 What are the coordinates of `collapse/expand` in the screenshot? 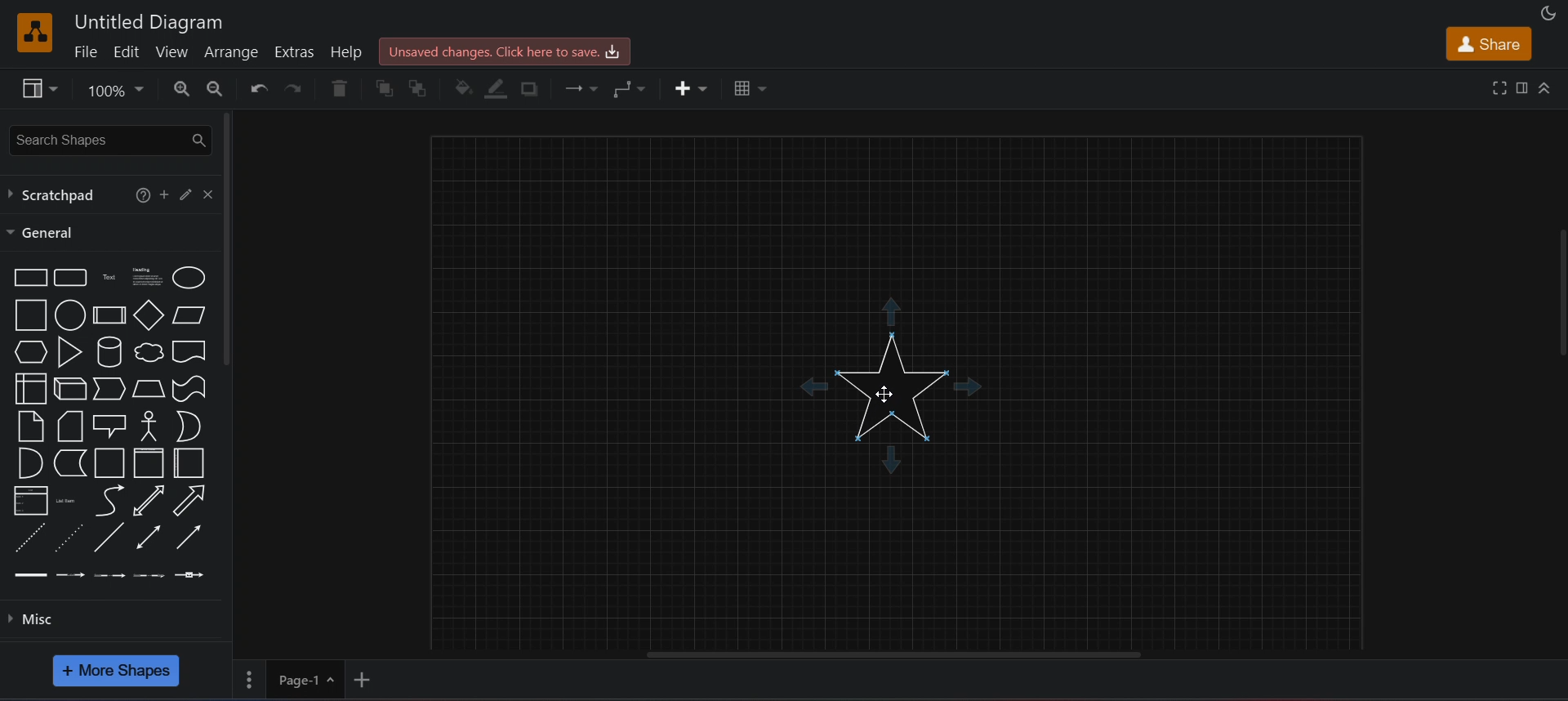 It's located at (1549, 86).